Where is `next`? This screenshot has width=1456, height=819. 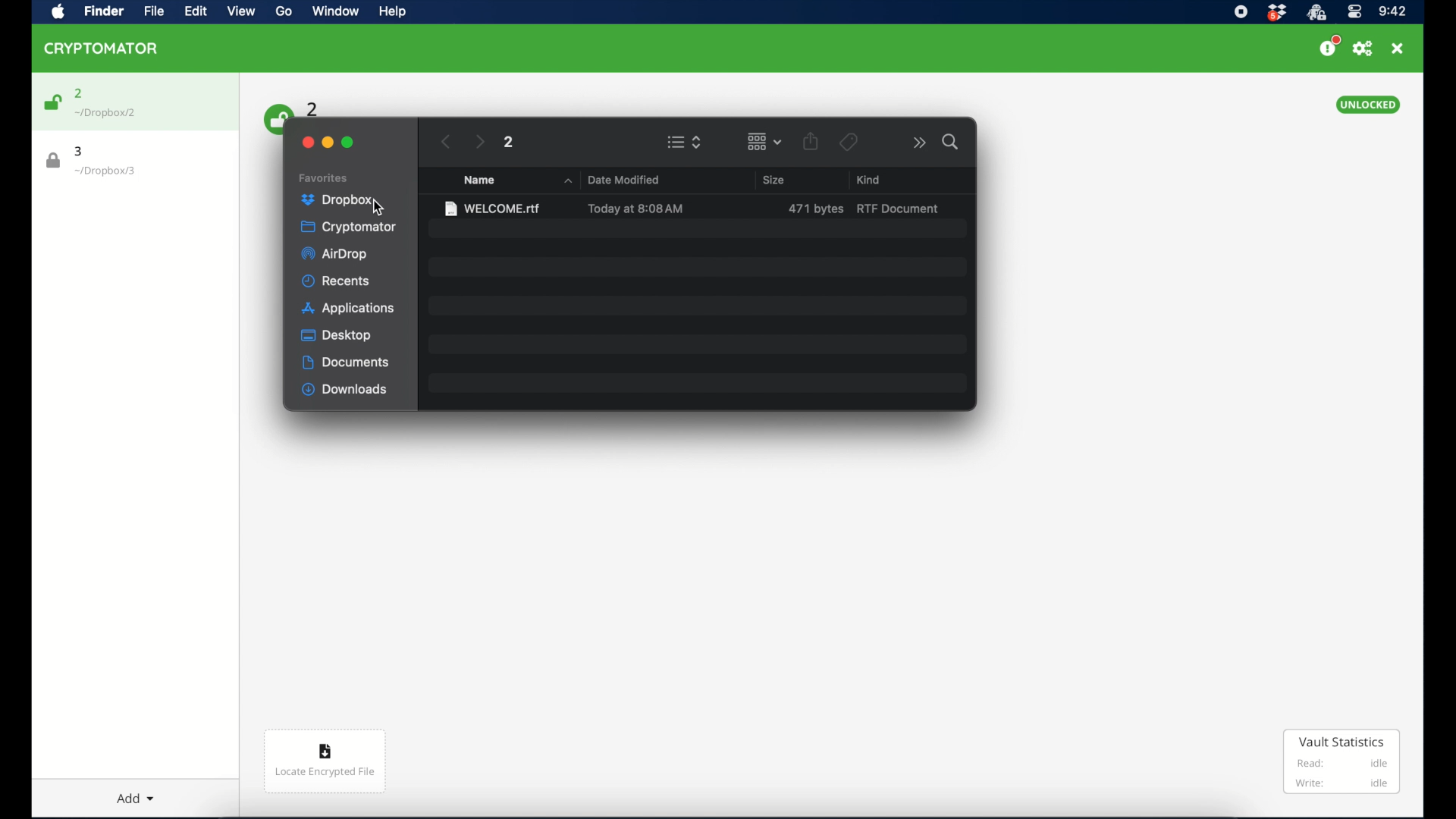 next is located at coordinates (479, 142).